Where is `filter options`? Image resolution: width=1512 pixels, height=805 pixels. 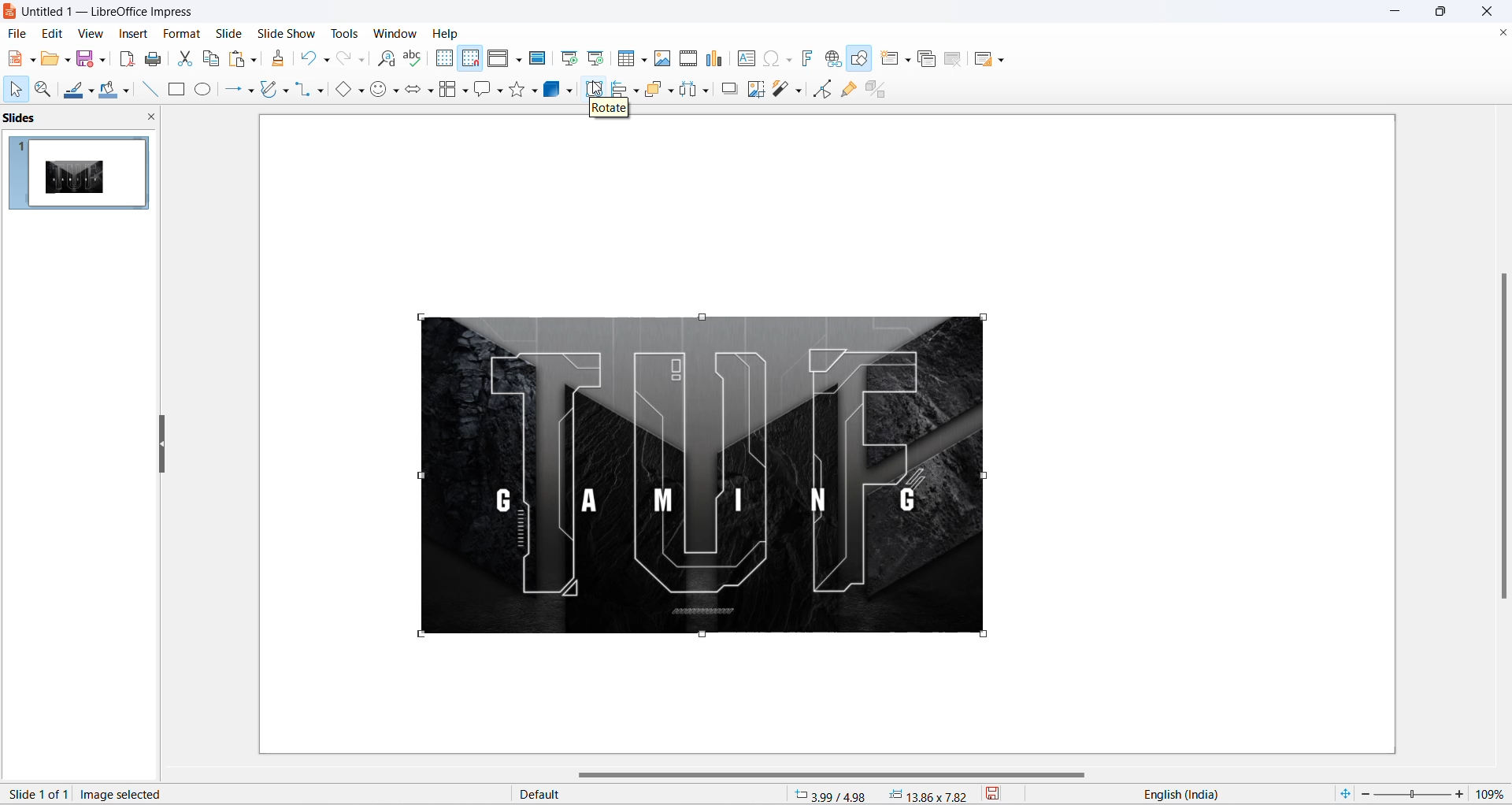
filter options is located at coordinates (798, 90).